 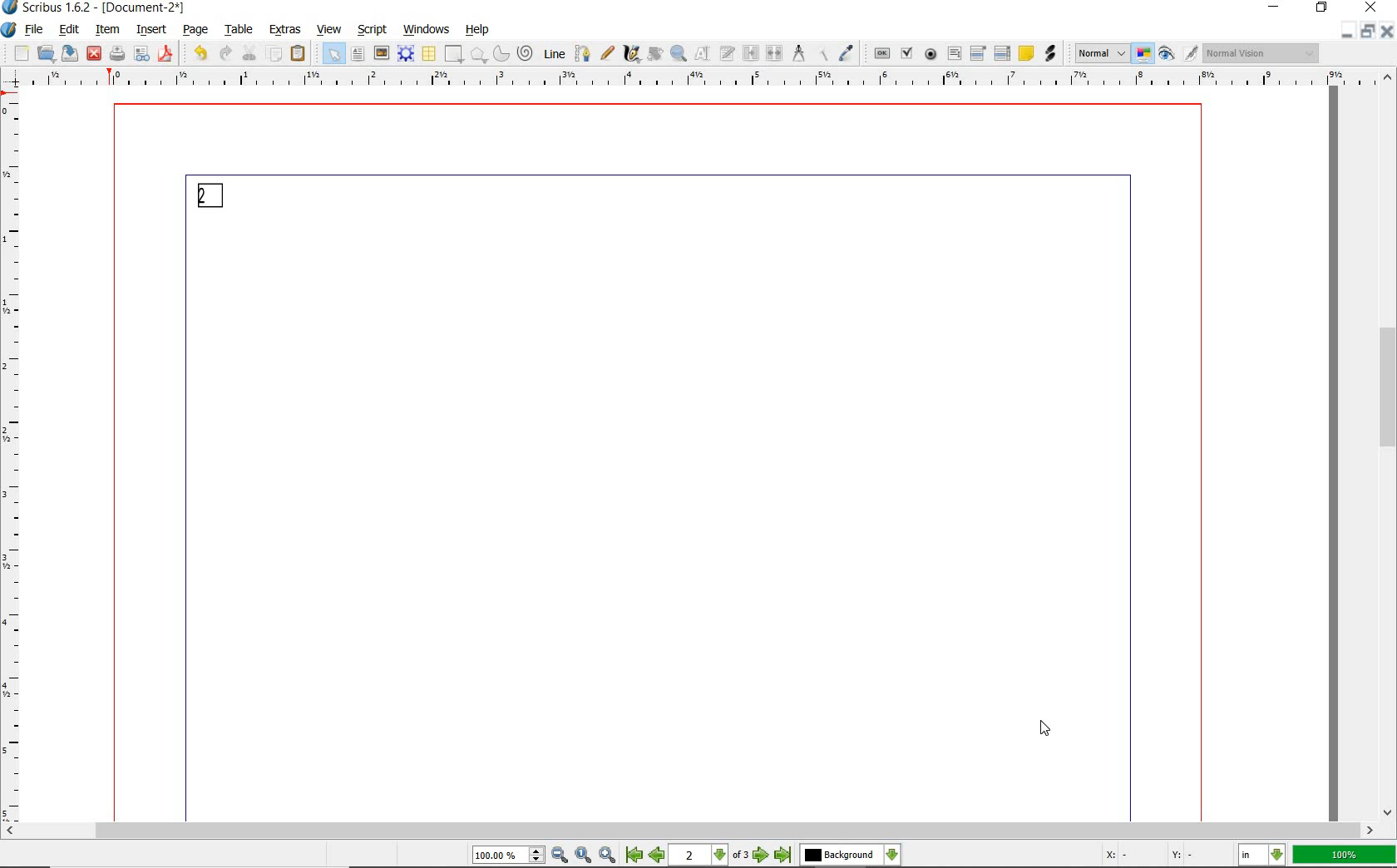 What do you see at coordinates (478, 31) in the screenshot?
I see `help` at bounding box center [478, 31].